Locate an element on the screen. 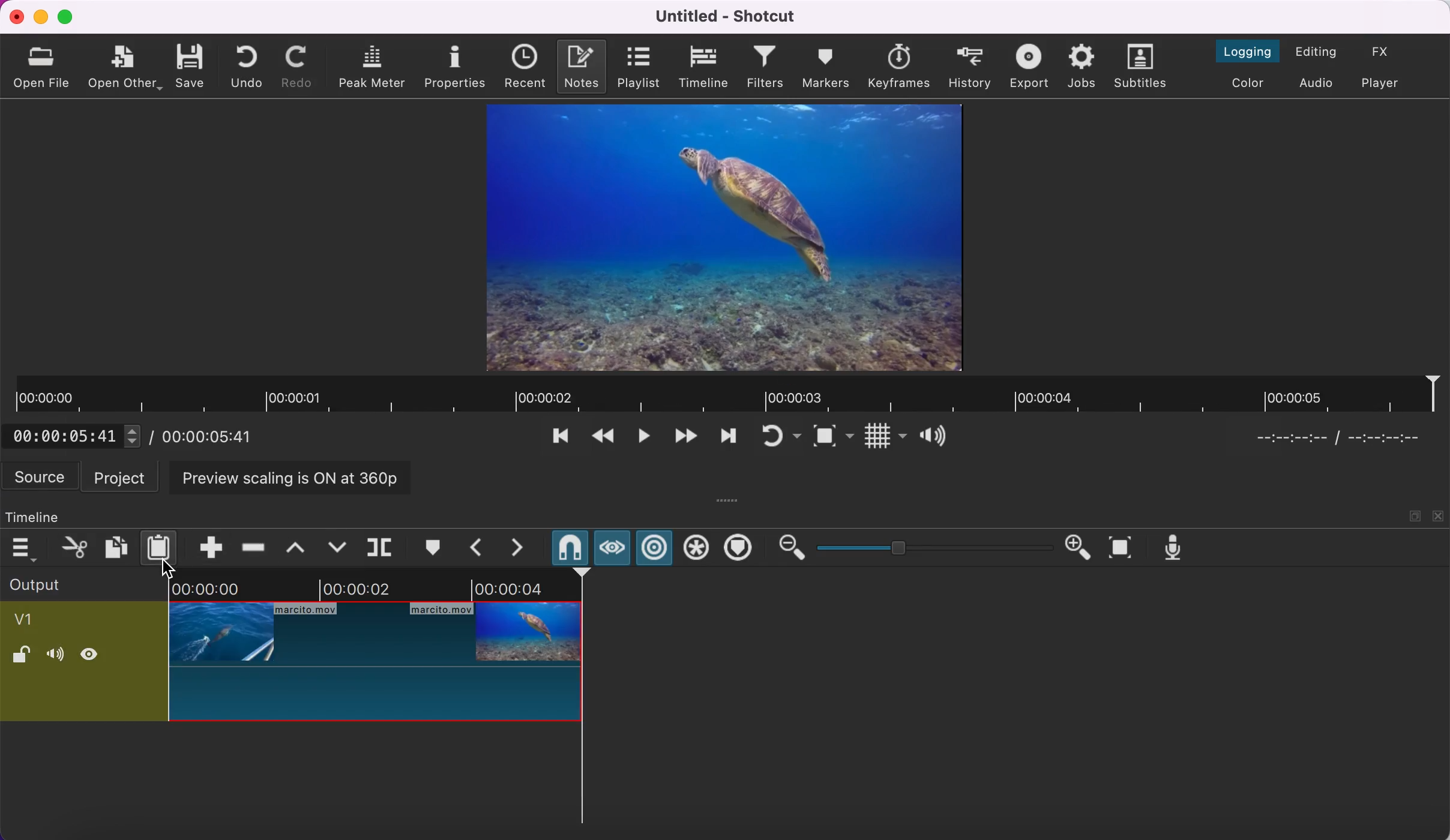  create/edit marker is located at coordinates (432, 545).